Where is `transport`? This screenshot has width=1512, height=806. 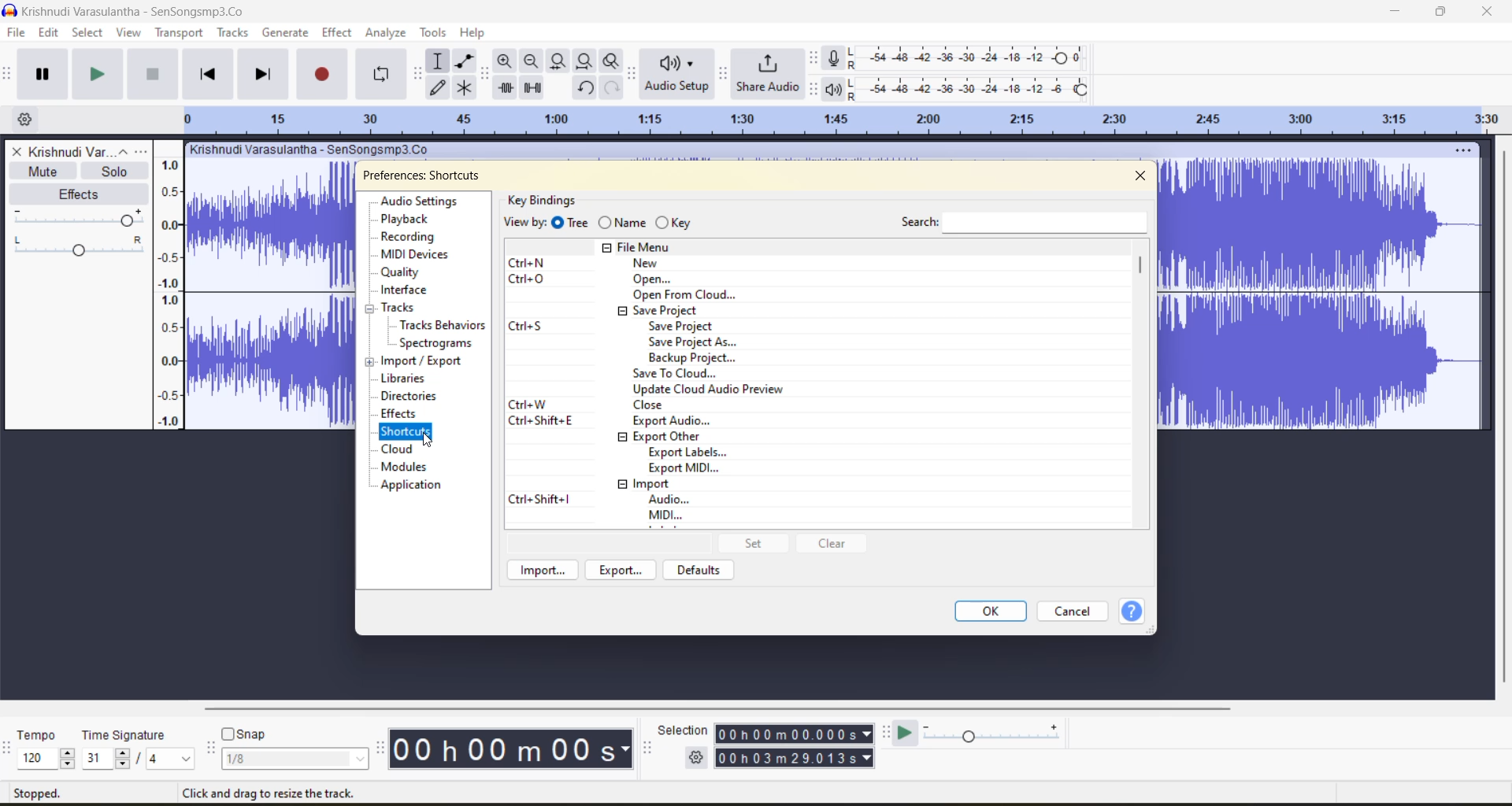 transport is located at coordinates (177, 31).